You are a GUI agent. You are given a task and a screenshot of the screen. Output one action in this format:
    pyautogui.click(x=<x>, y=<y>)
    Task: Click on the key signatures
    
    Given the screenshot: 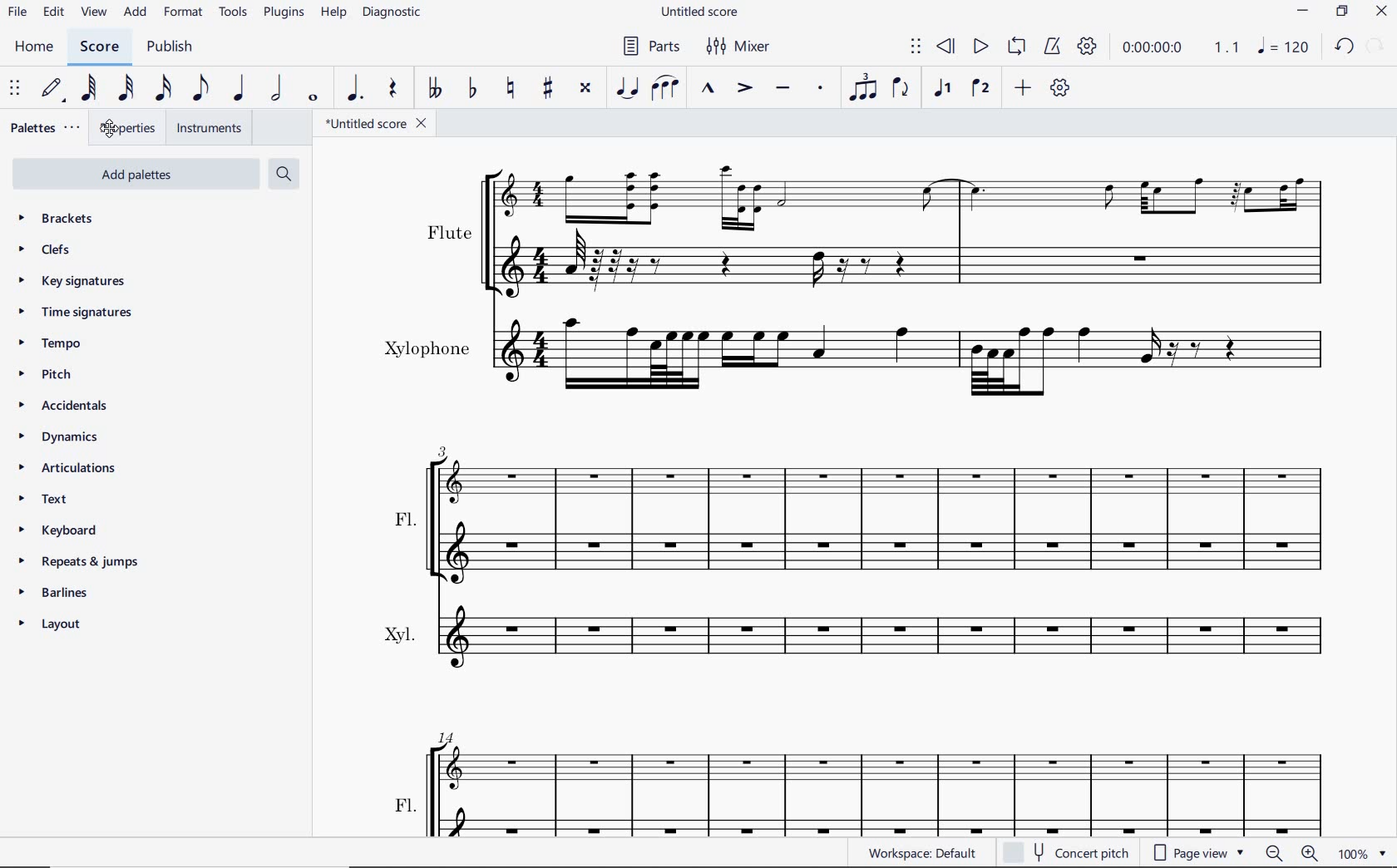 What is the action you would take?
    pyautogui.click(x=72, y=279)
    